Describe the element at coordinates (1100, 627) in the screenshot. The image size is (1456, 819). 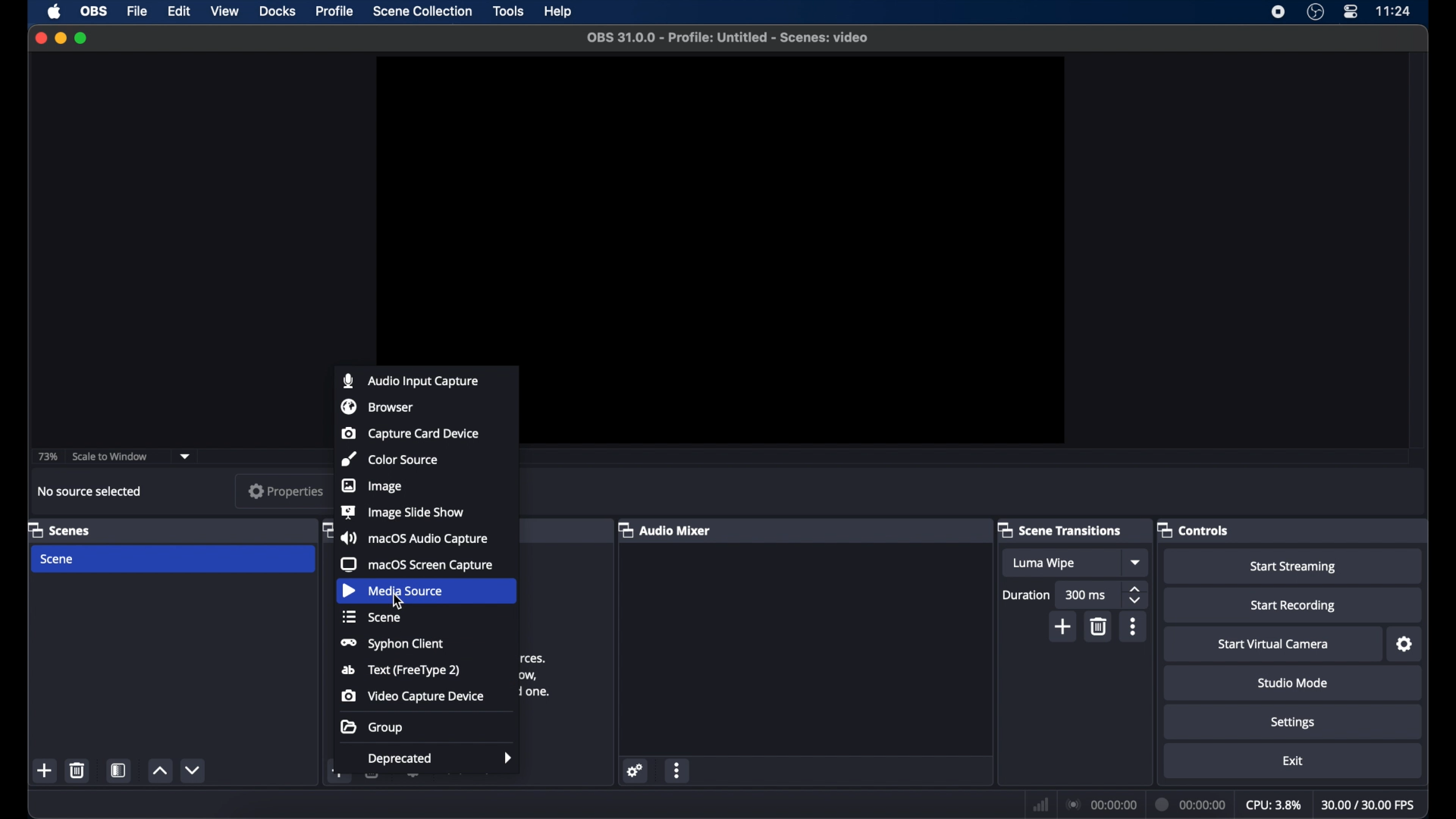
I see `delete` at that location.